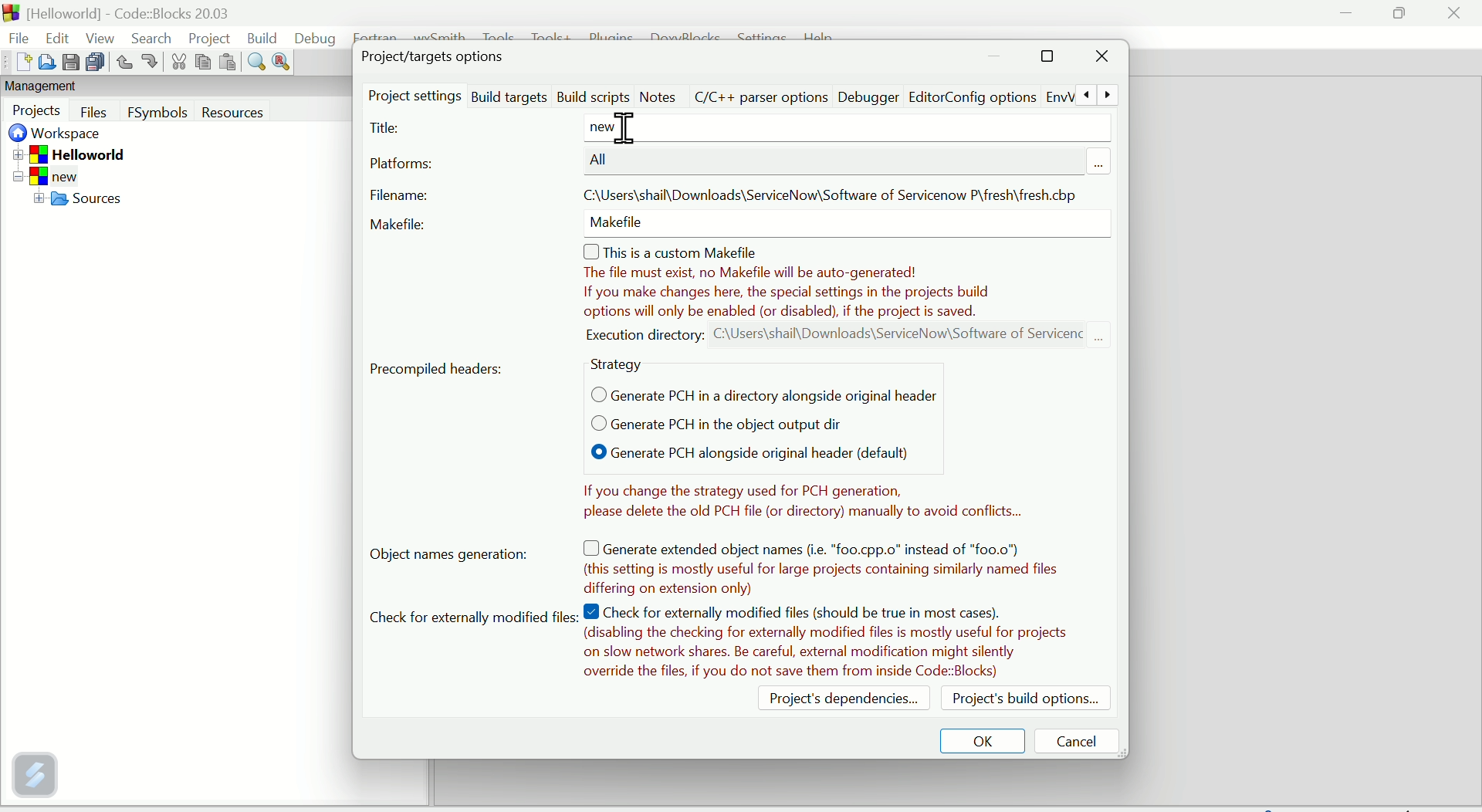  Describe the element at coordinates (1047, 58) in the screenshot. I see `Maximise` at that location.